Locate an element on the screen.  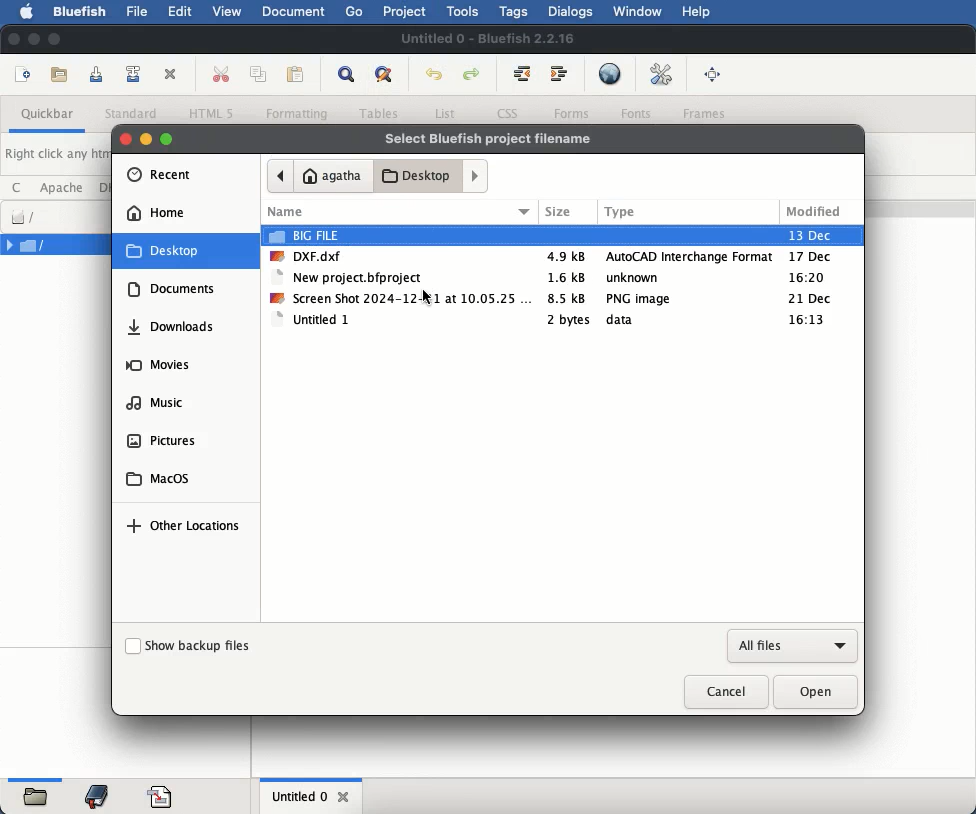
home is located at coordinates (156, 213).